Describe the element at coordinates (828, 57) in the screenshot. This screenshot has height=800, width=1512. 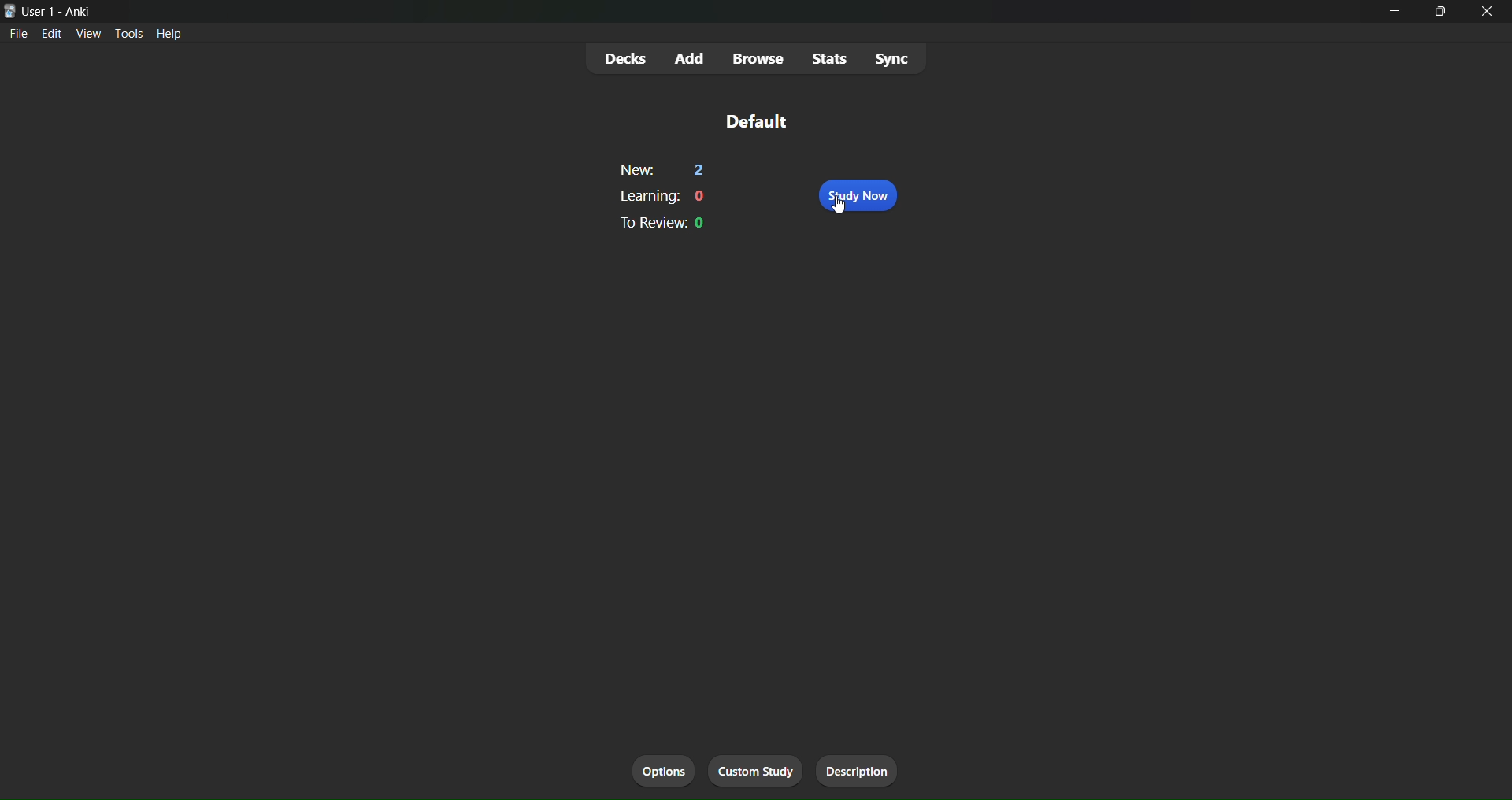
I see `stats` at that location.